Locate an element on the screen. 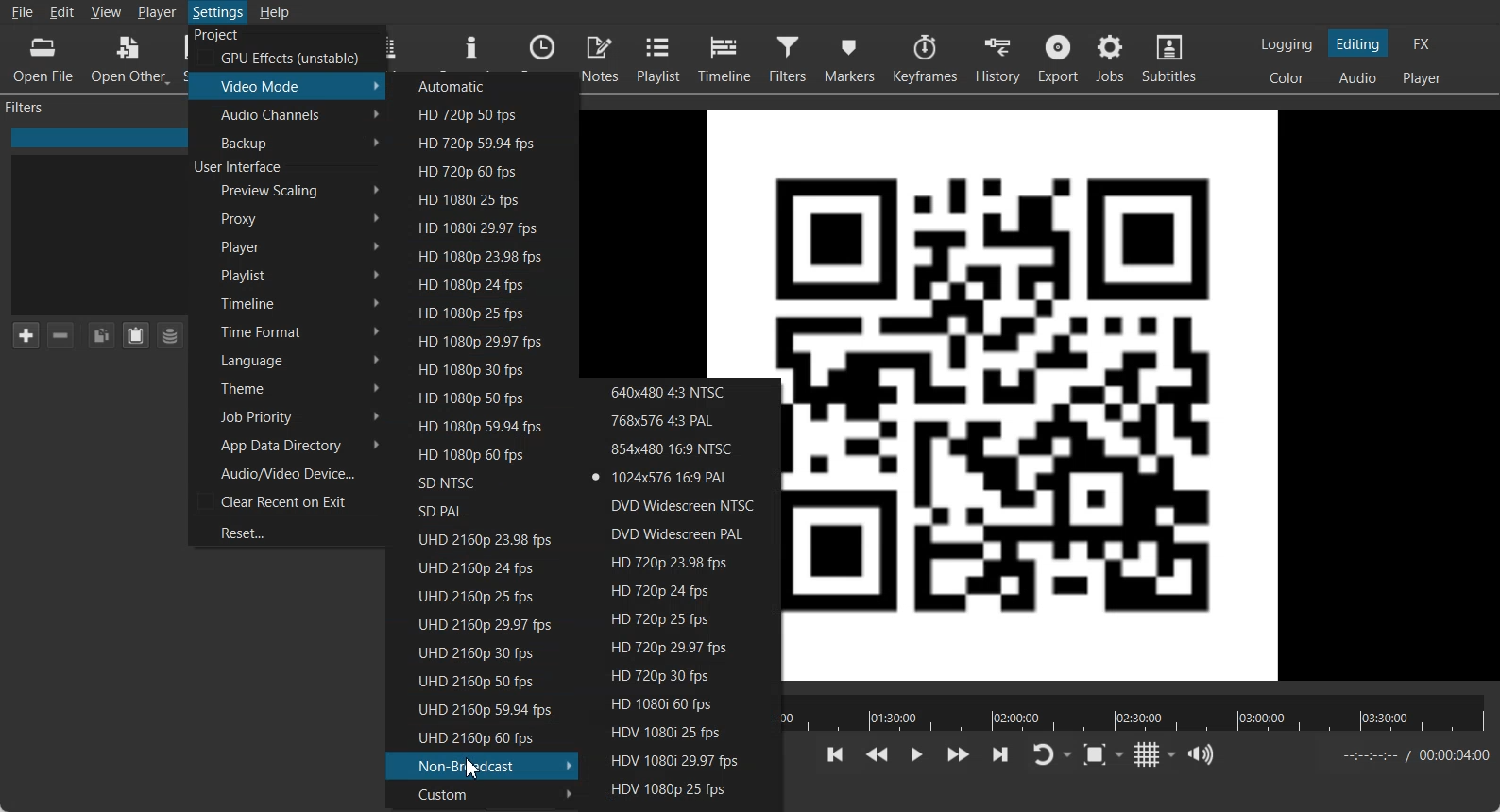  Text is located at coordinates (240, 168).